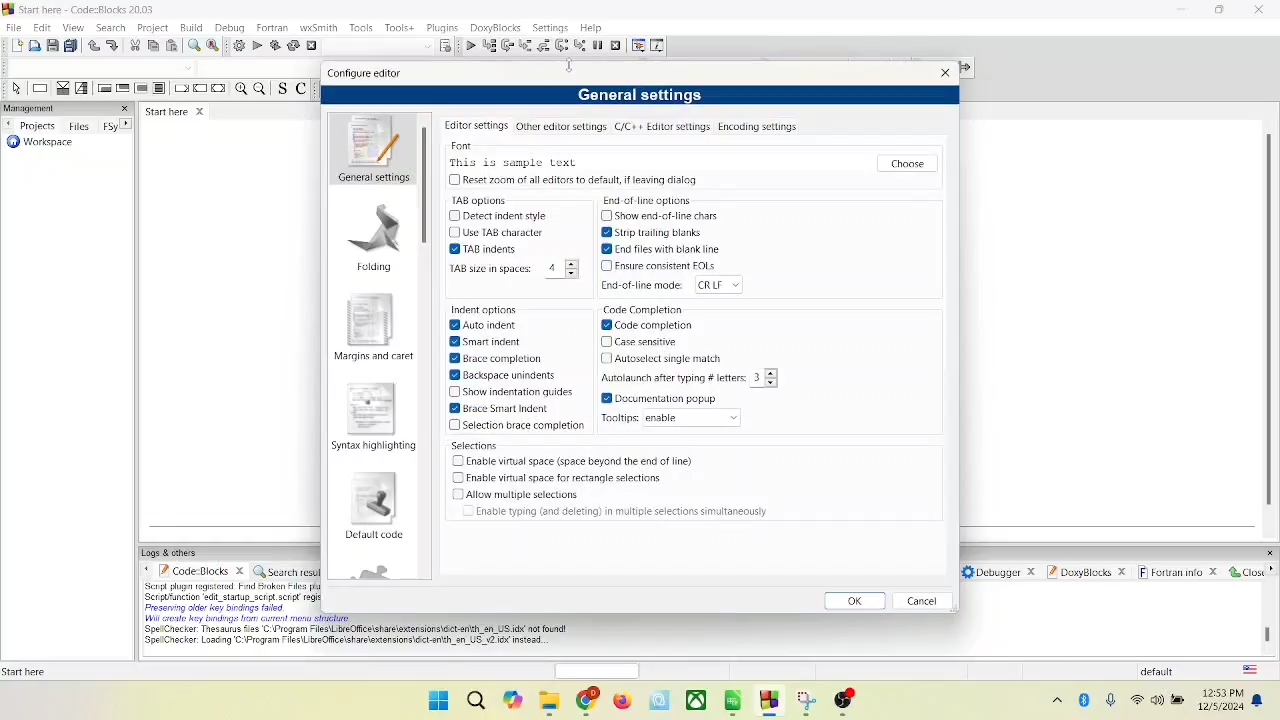  I want to click on Fsy, so click(117, 126).